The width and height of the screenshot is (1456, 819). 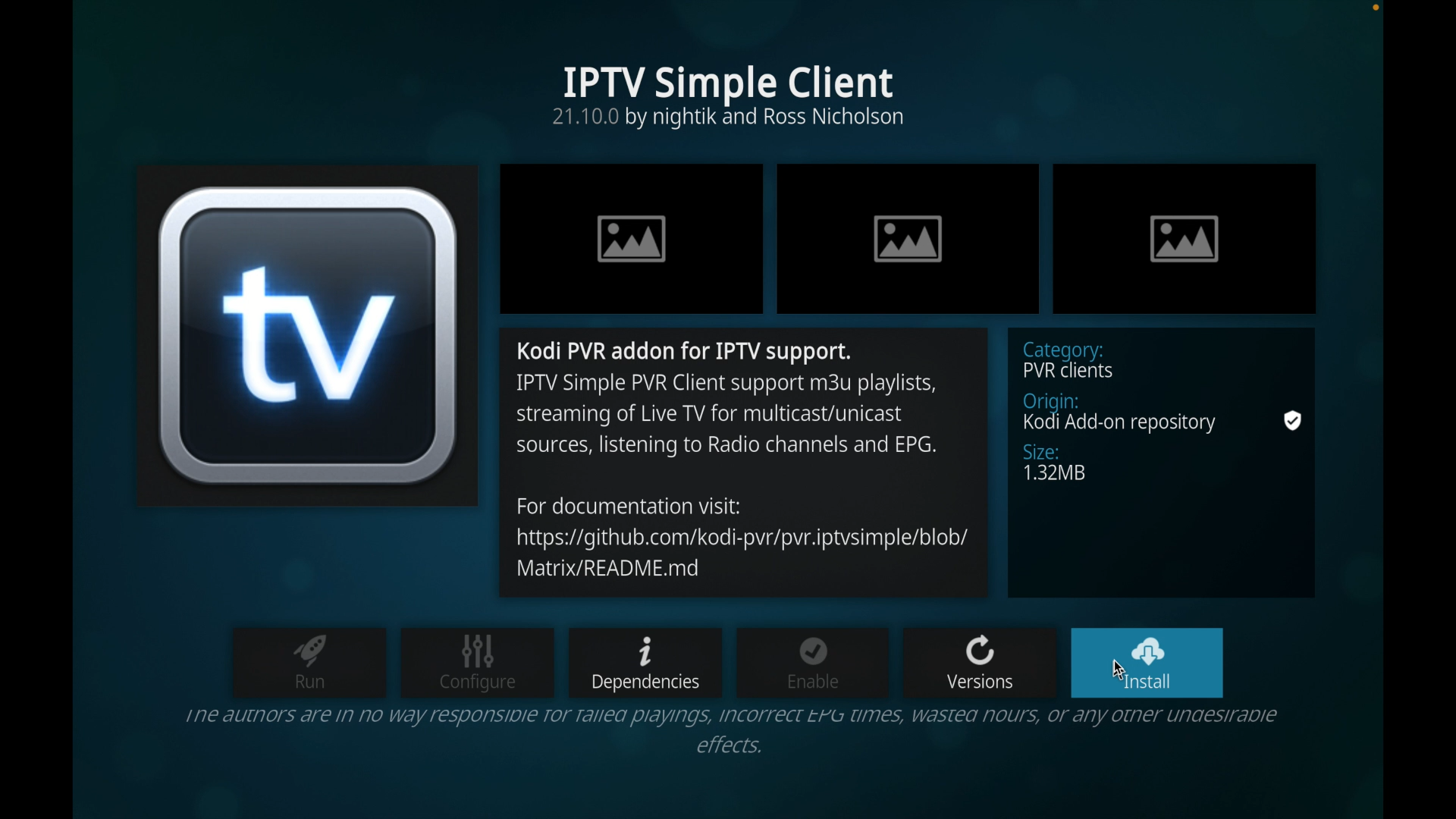 I want to click on configure, so click(x=477, y=661).